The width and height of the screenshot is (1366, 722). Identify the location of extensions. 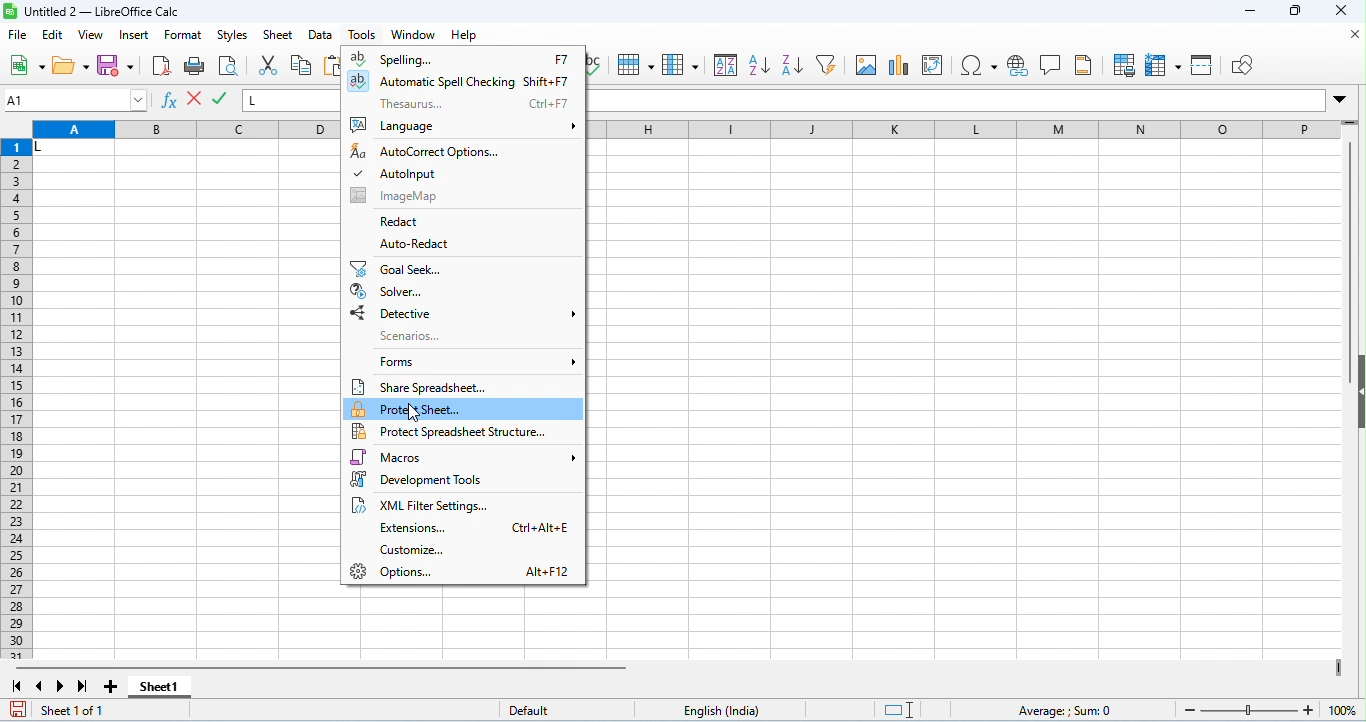
(479, 528).